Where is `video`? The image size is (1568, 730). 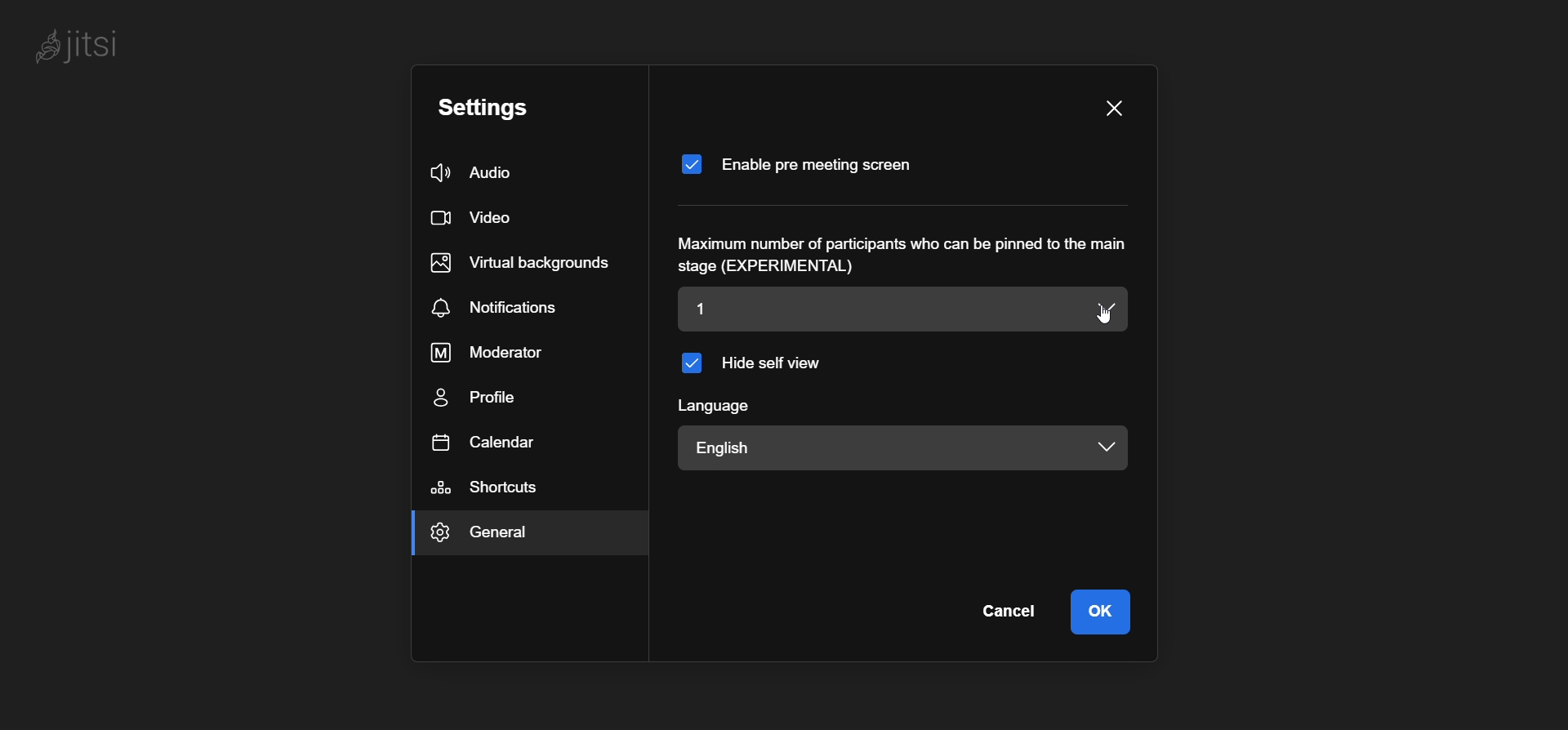
video is located at coordinates (470, 220).